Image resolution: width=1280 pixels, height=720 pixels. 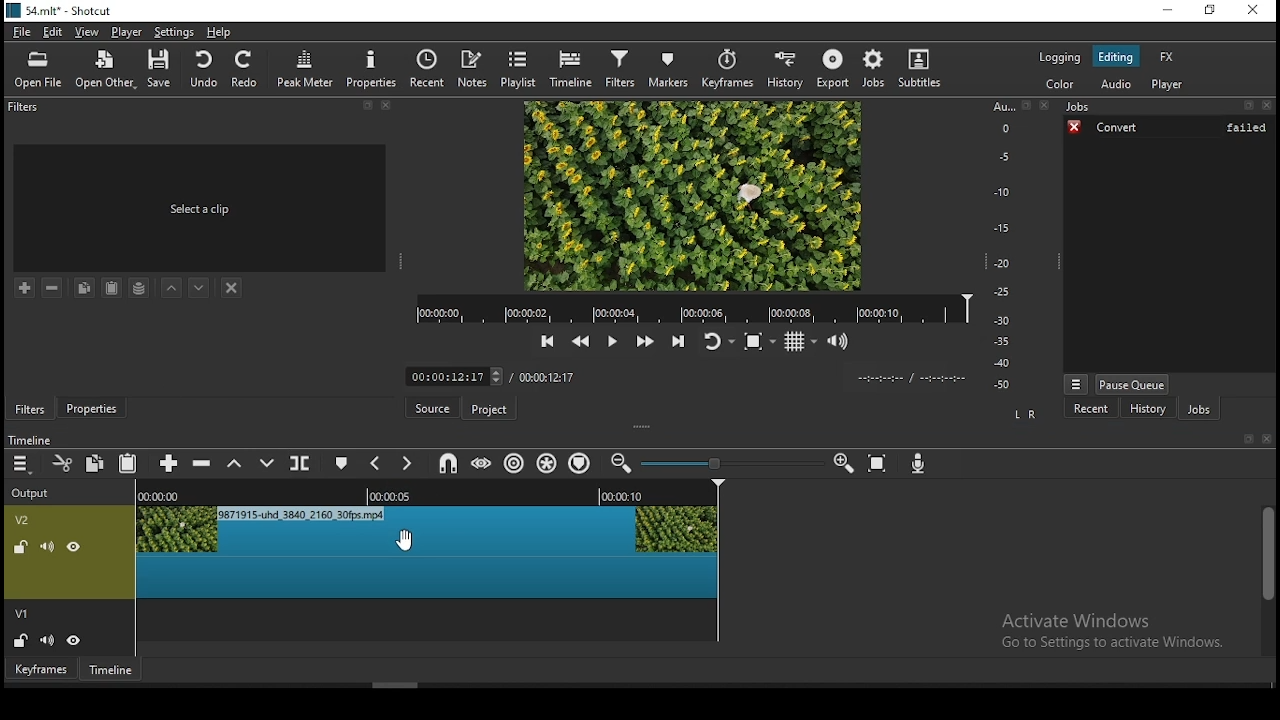 What do you see at coordinates (757, 342) in the screenshot?
I see `toggle zoo` at bounding box center [757, 342].